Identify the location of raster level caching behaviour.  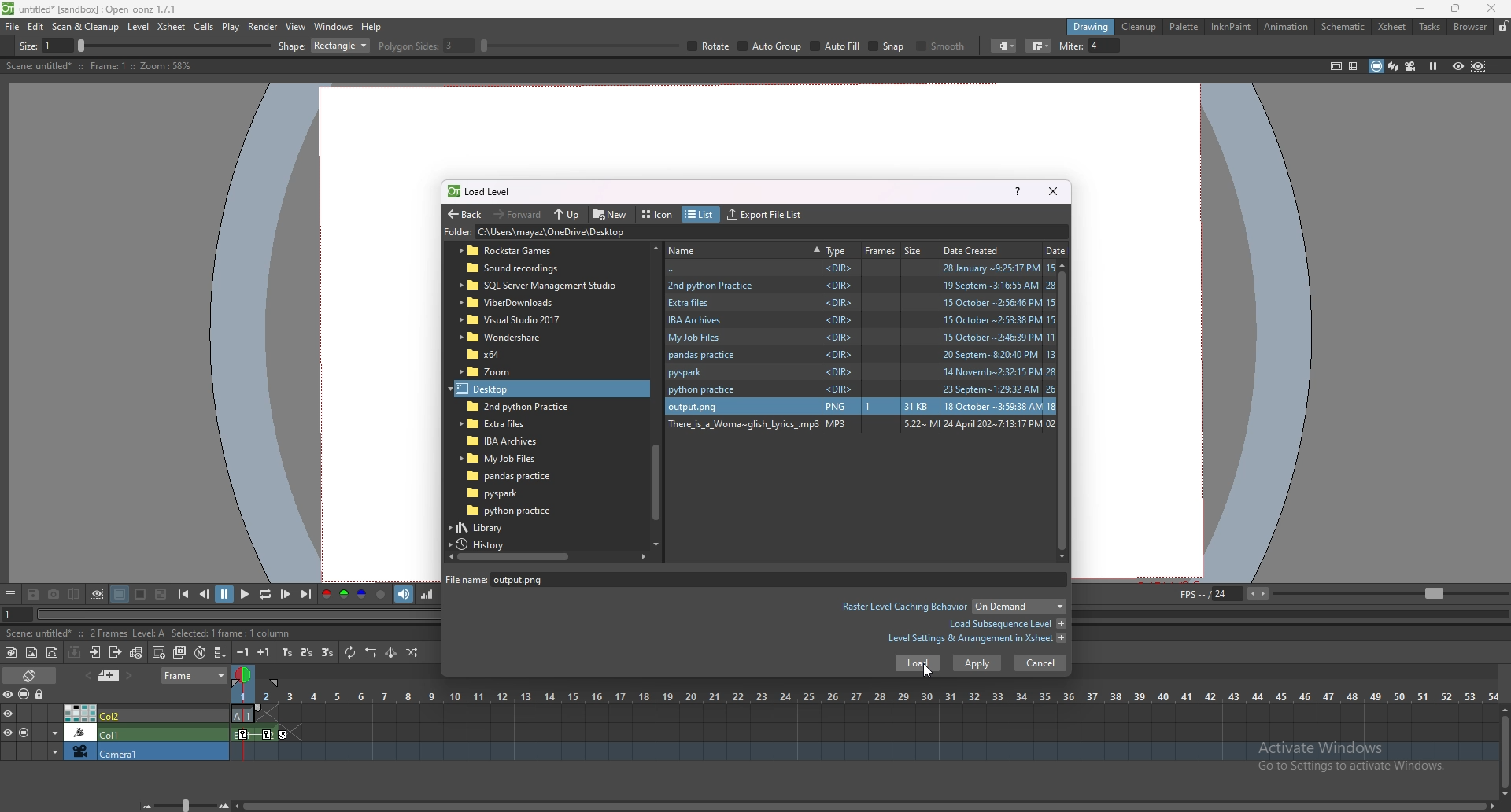
(952, 608).